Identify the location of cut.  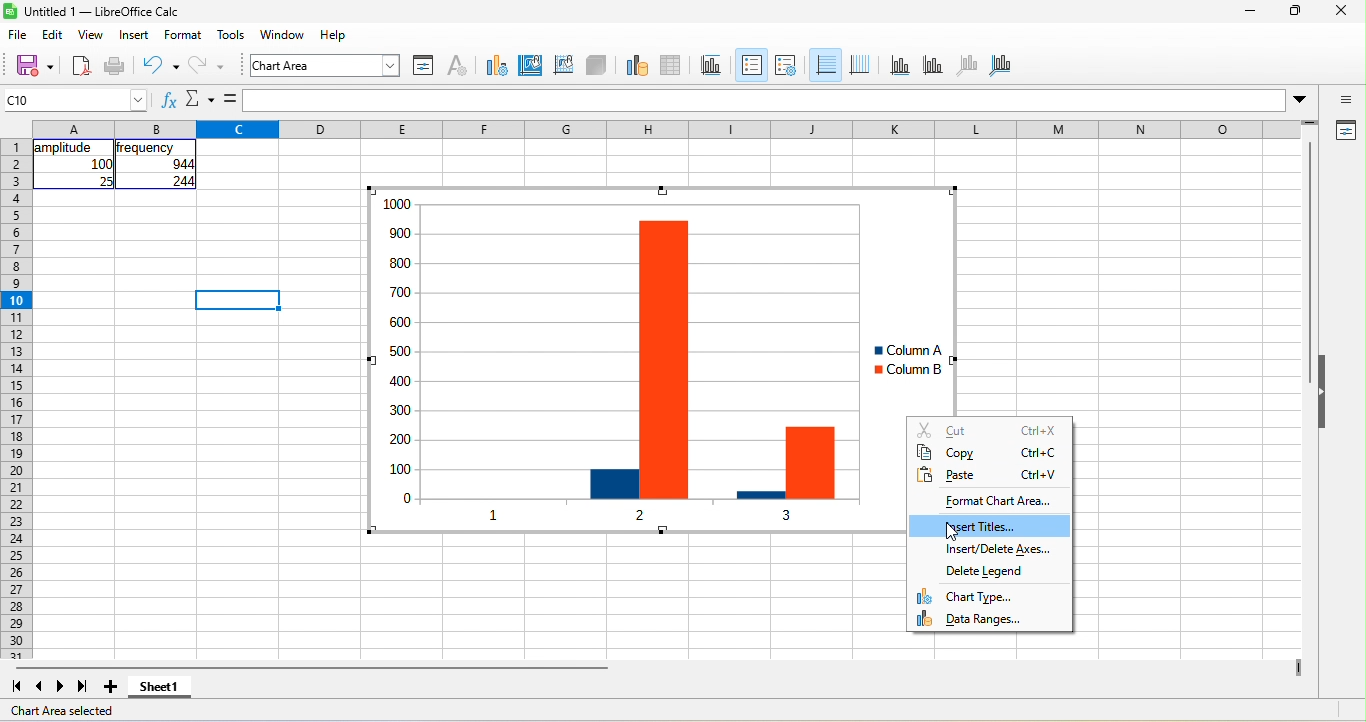
(990, 430).